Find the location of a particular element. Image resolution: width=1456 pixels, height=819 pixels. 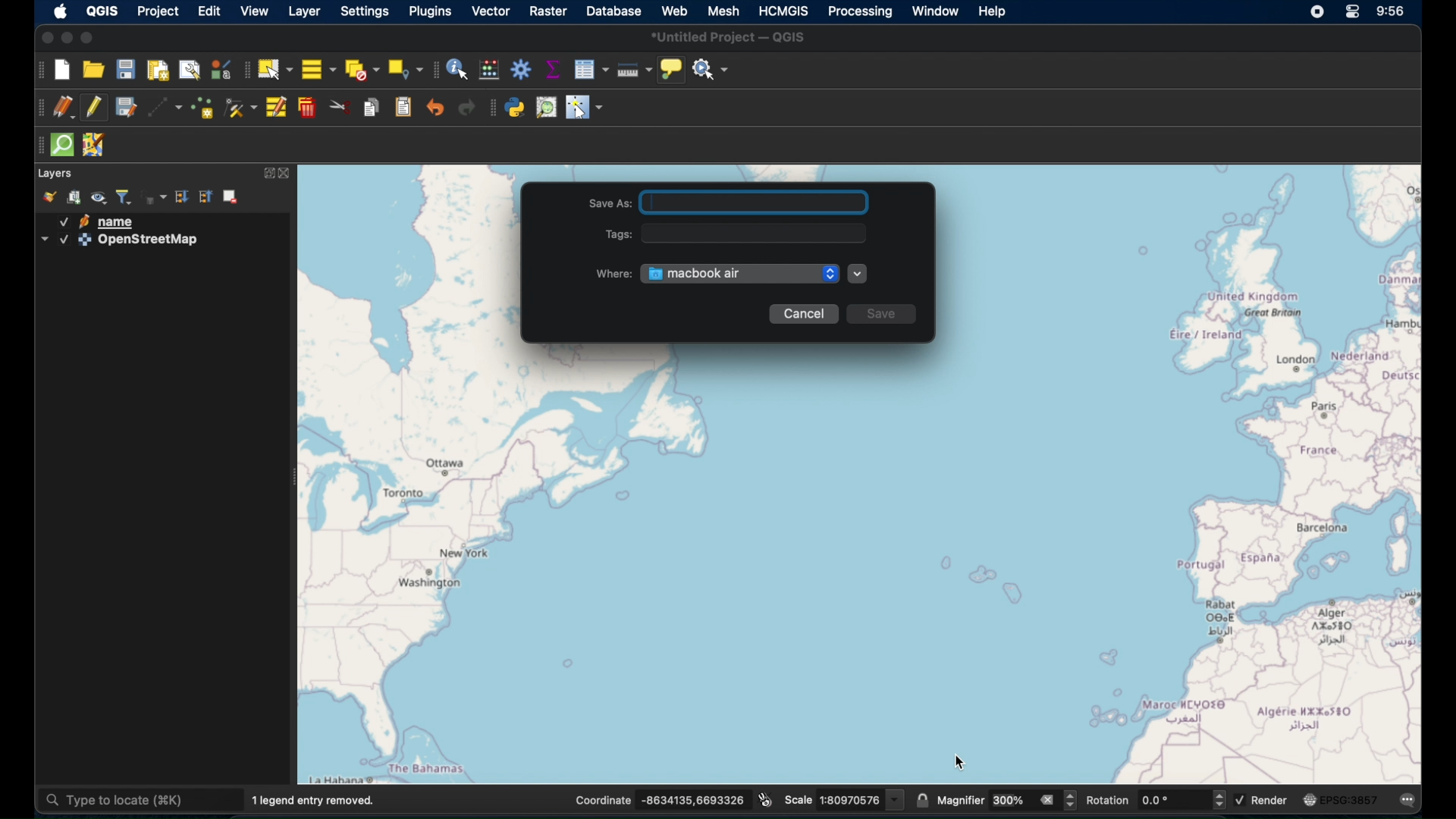

more is located at coordinates (863, 274).